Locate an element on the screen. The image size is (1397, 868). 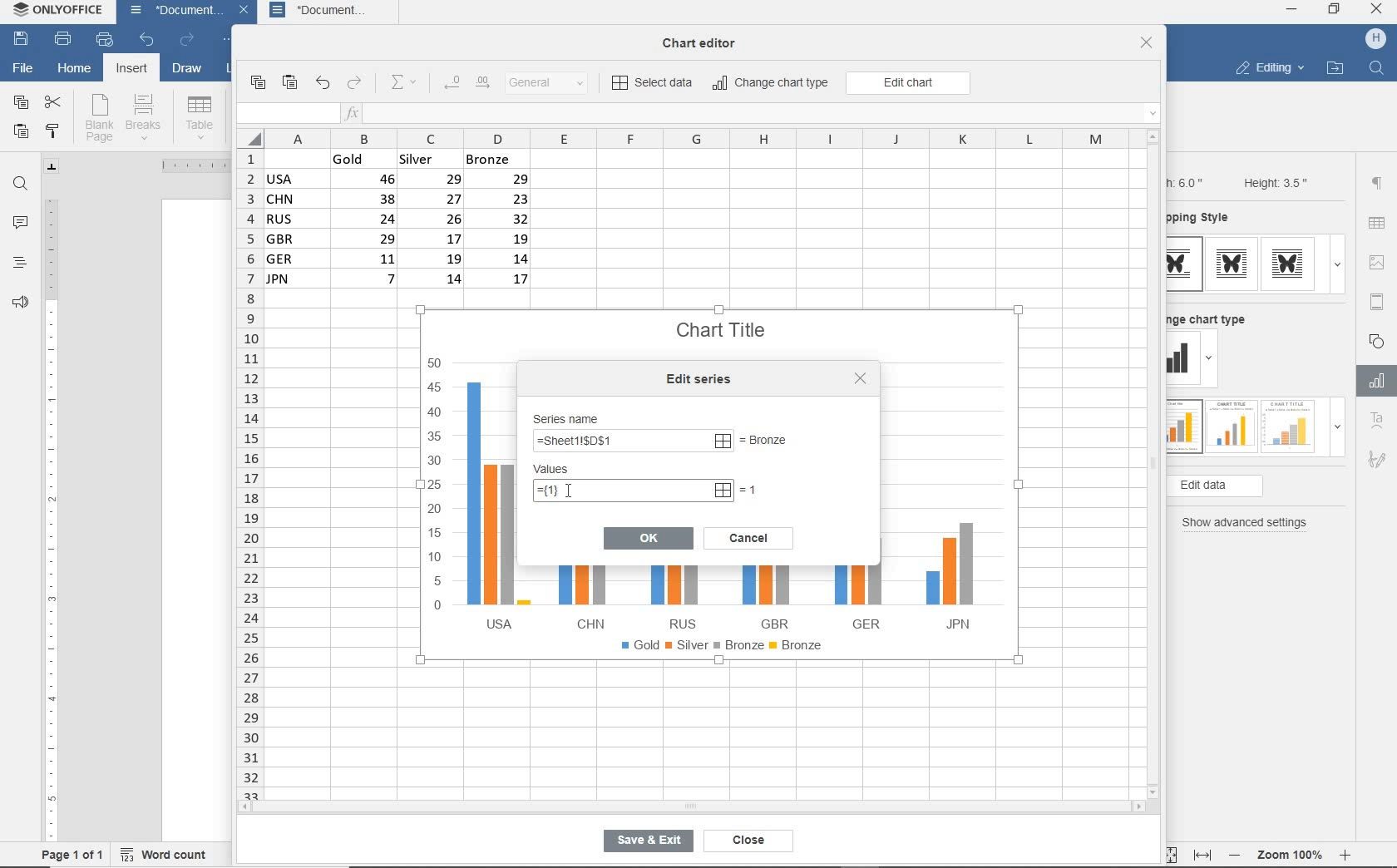
zoom out is located at coordinates (1237, 855).